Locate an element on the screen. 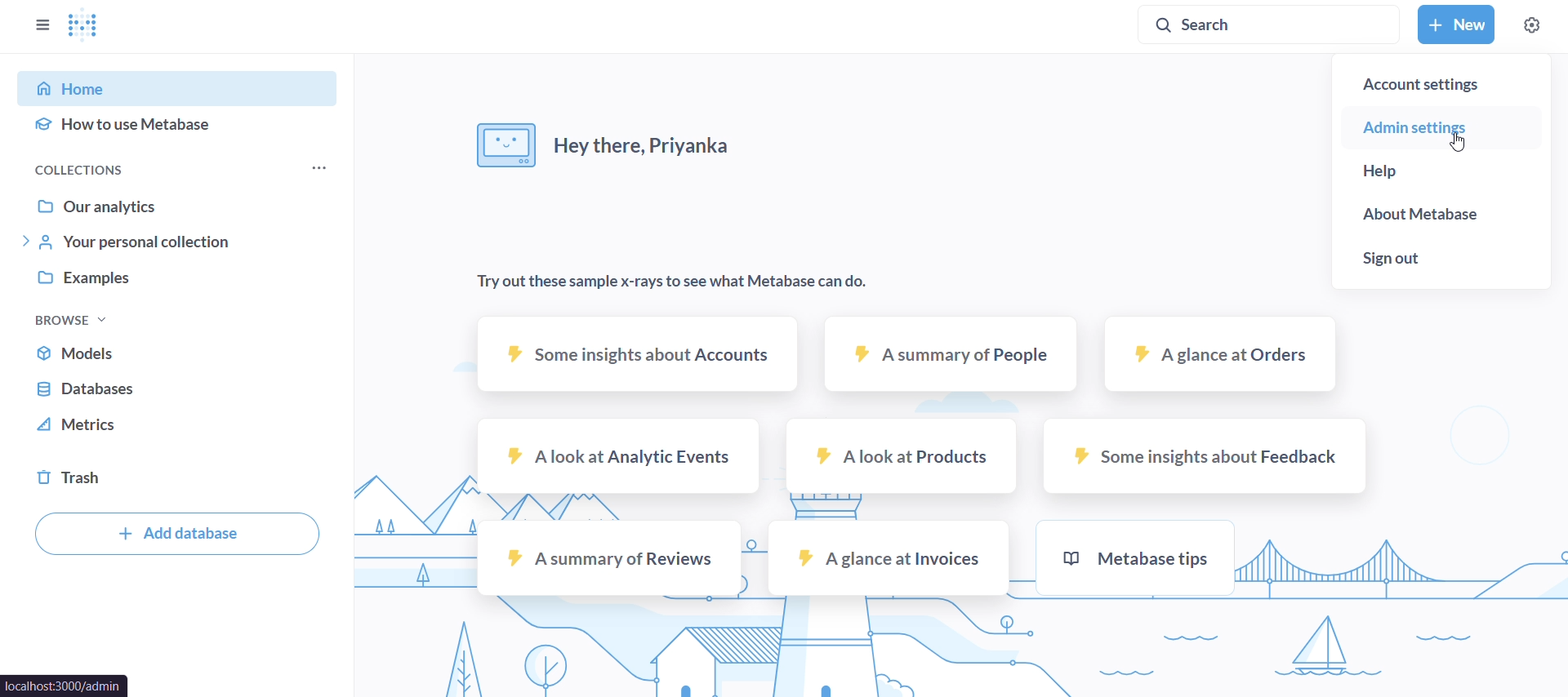  examples is located at coordinates (177, 282).